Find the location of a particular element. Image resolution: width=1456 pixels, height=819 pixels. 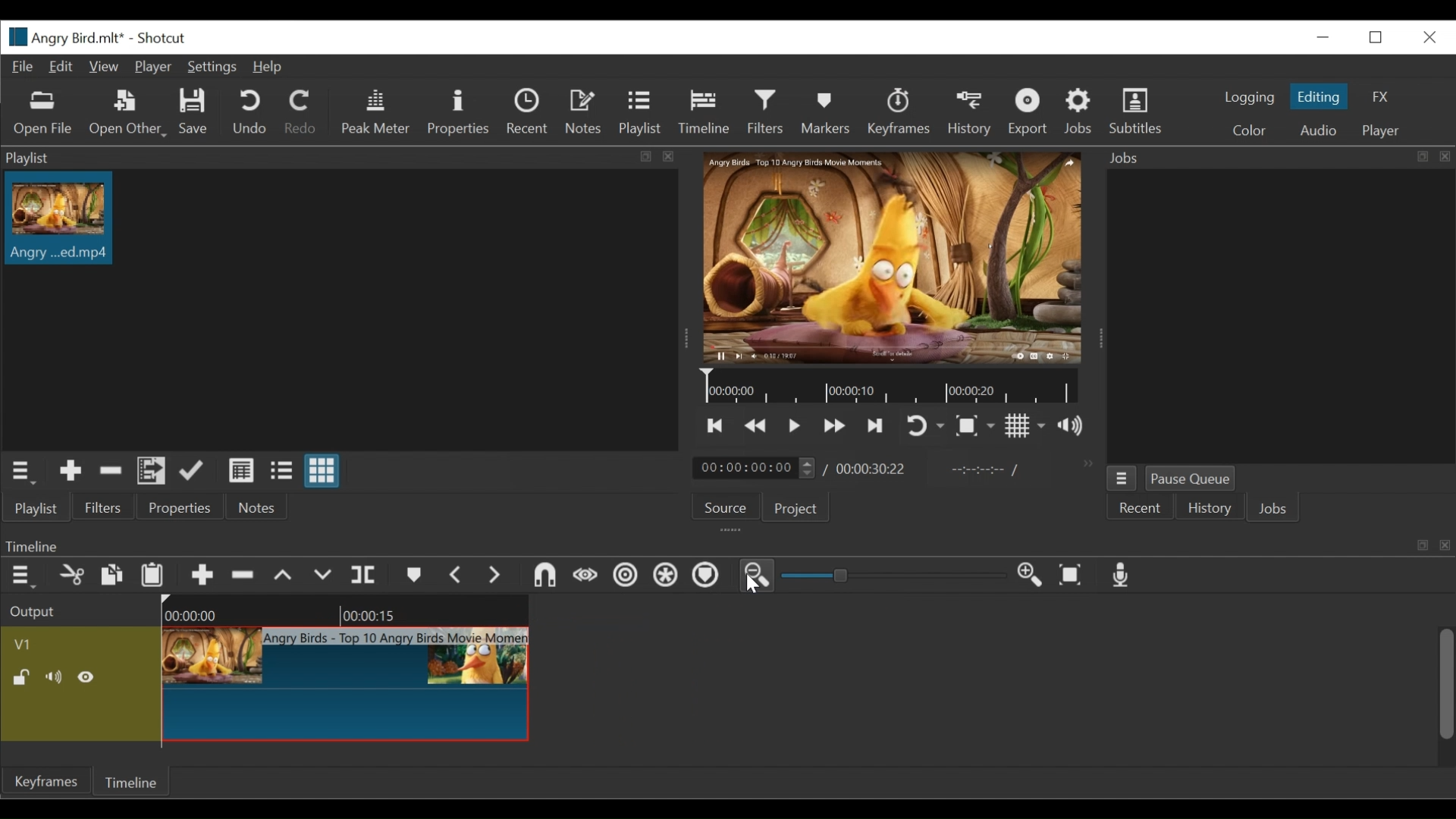

Video Track Name is located at coordinates (78, 642).